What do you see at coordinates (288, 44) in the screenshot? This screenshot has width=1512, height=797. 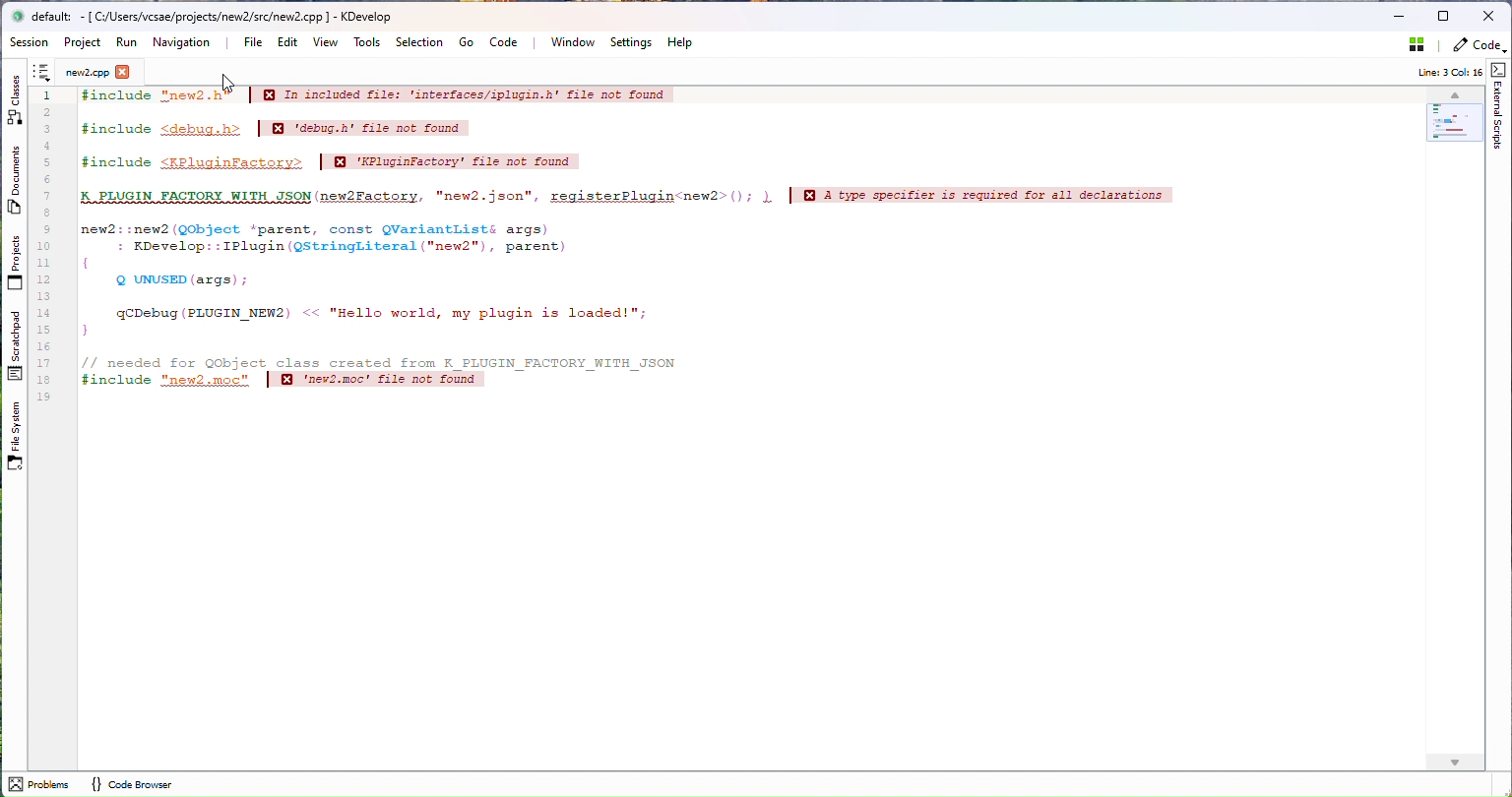 I see `Edit` at bounding box center [288, 44].